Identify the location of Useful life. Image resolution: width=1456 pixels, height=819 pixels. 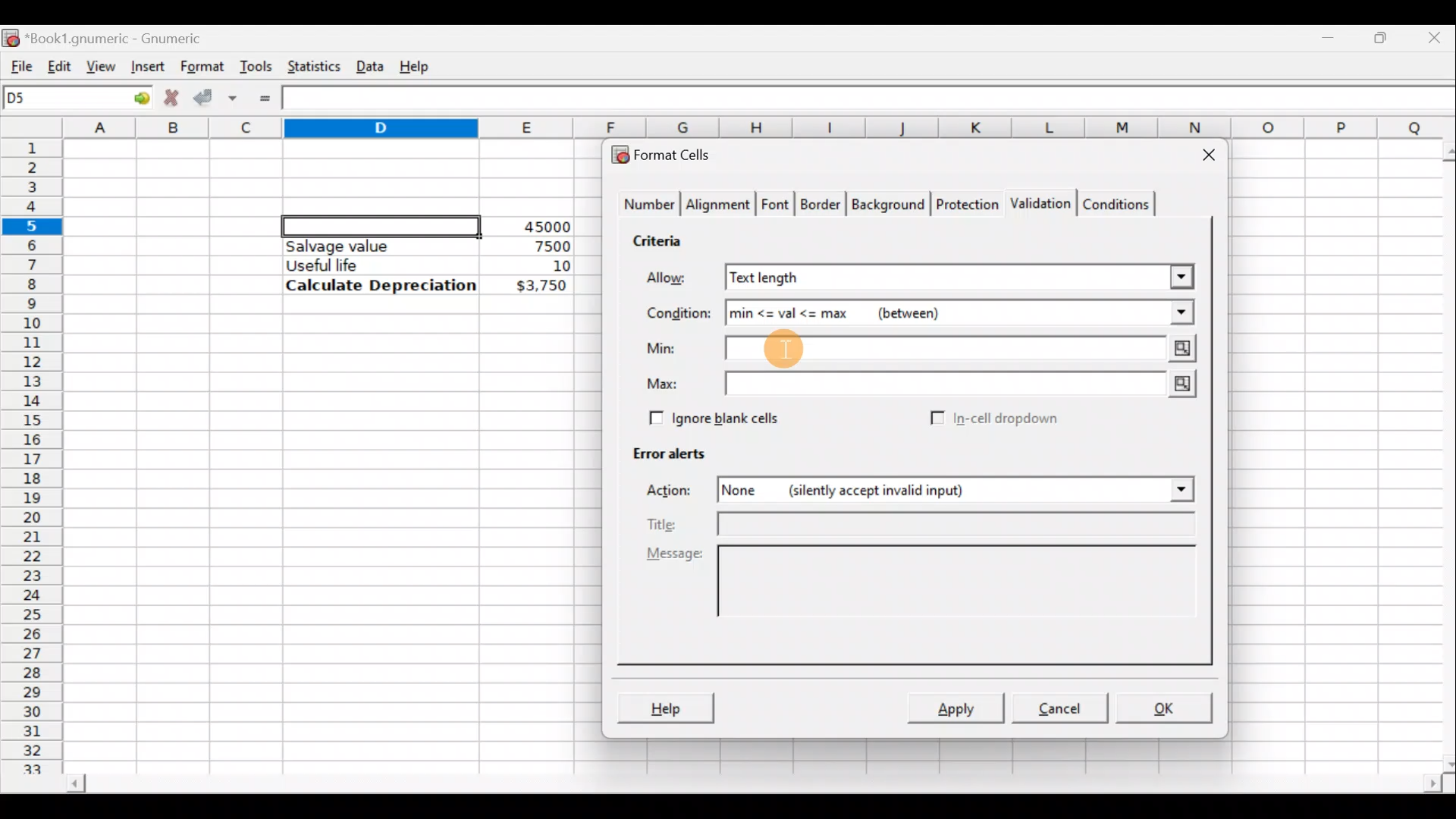
(372, 265).